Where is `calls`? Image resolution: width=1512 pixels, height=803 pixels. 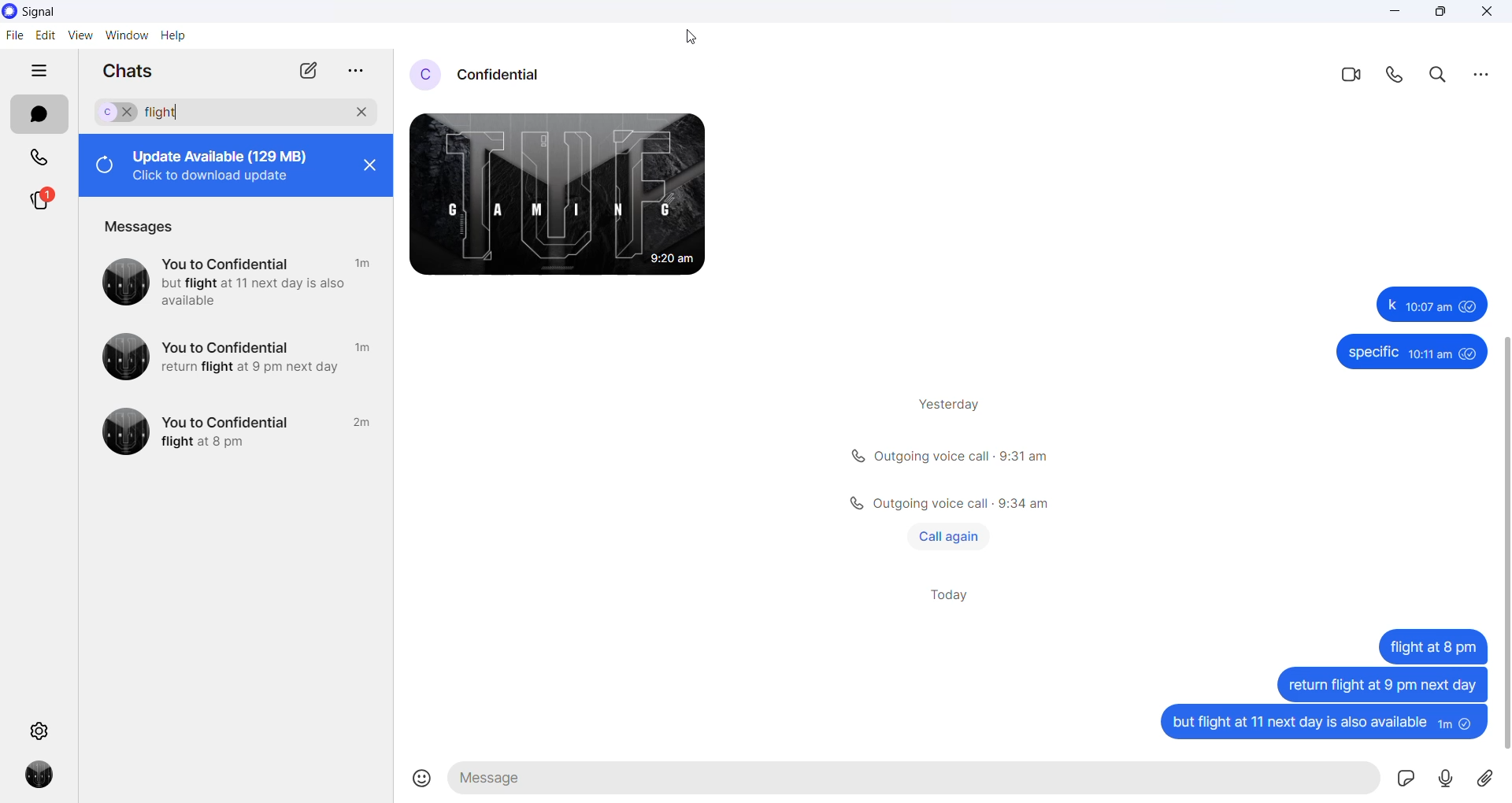 calls is located at coordinates (35, 157).